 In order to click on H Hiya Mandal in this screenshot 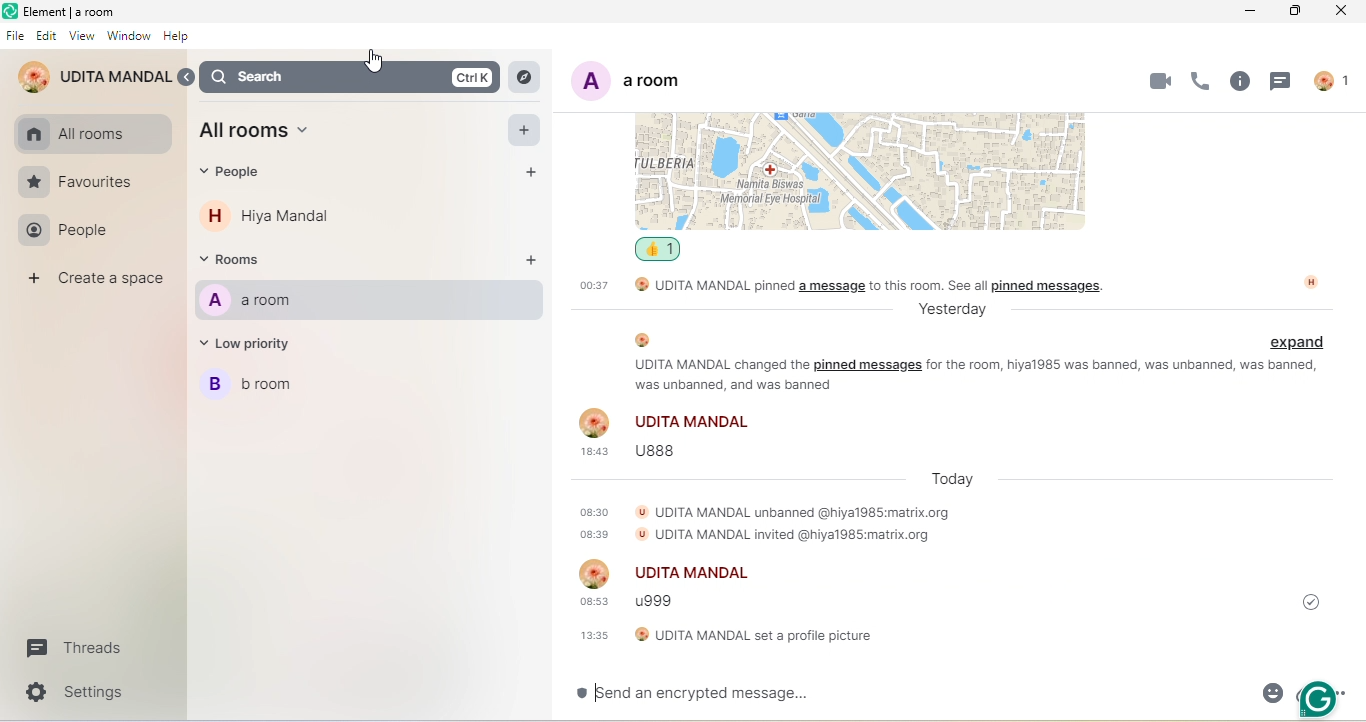, I will do `click(272, 219)`.